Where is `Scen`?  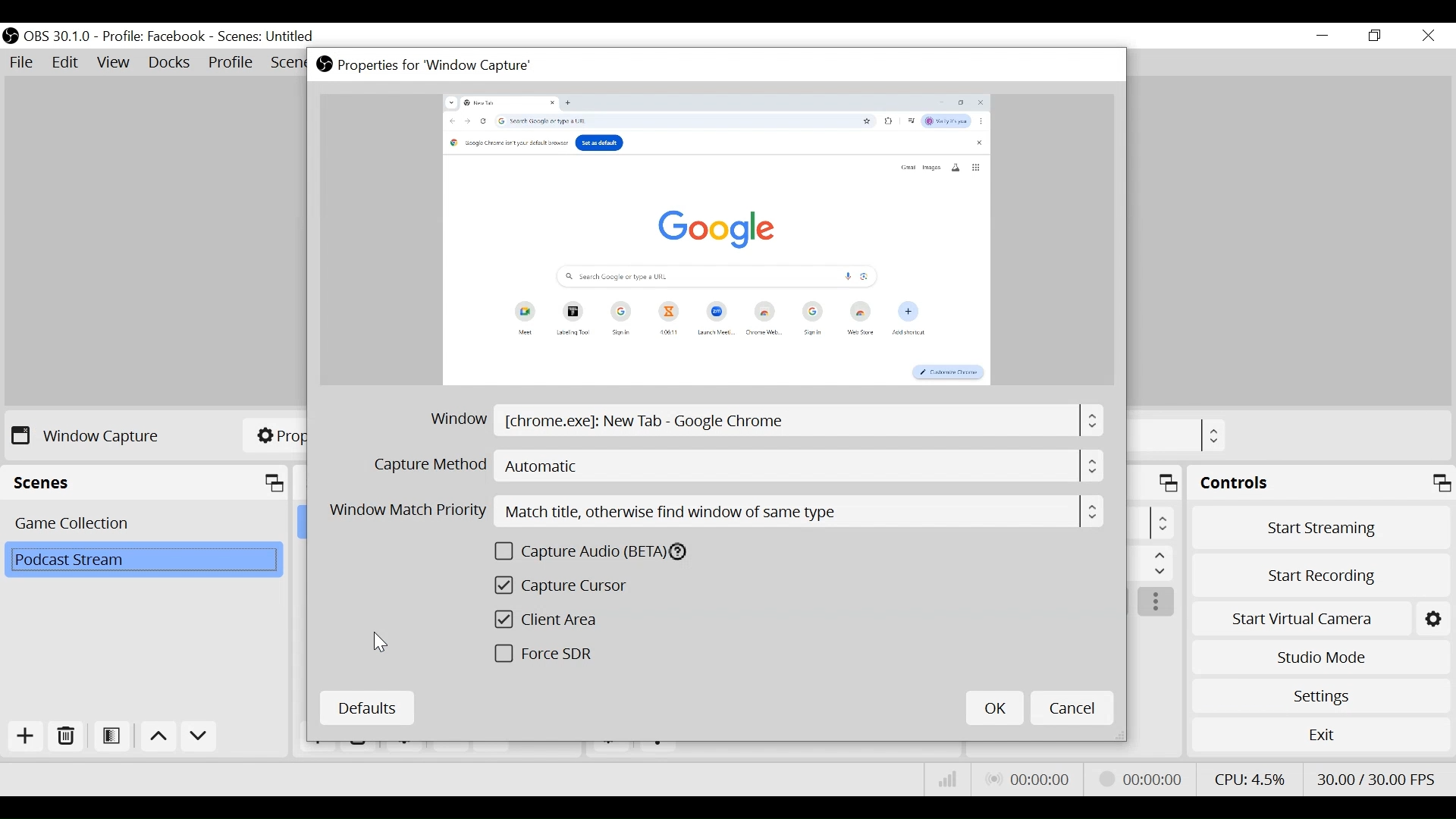 Scen is located at coordinates (287, 64).